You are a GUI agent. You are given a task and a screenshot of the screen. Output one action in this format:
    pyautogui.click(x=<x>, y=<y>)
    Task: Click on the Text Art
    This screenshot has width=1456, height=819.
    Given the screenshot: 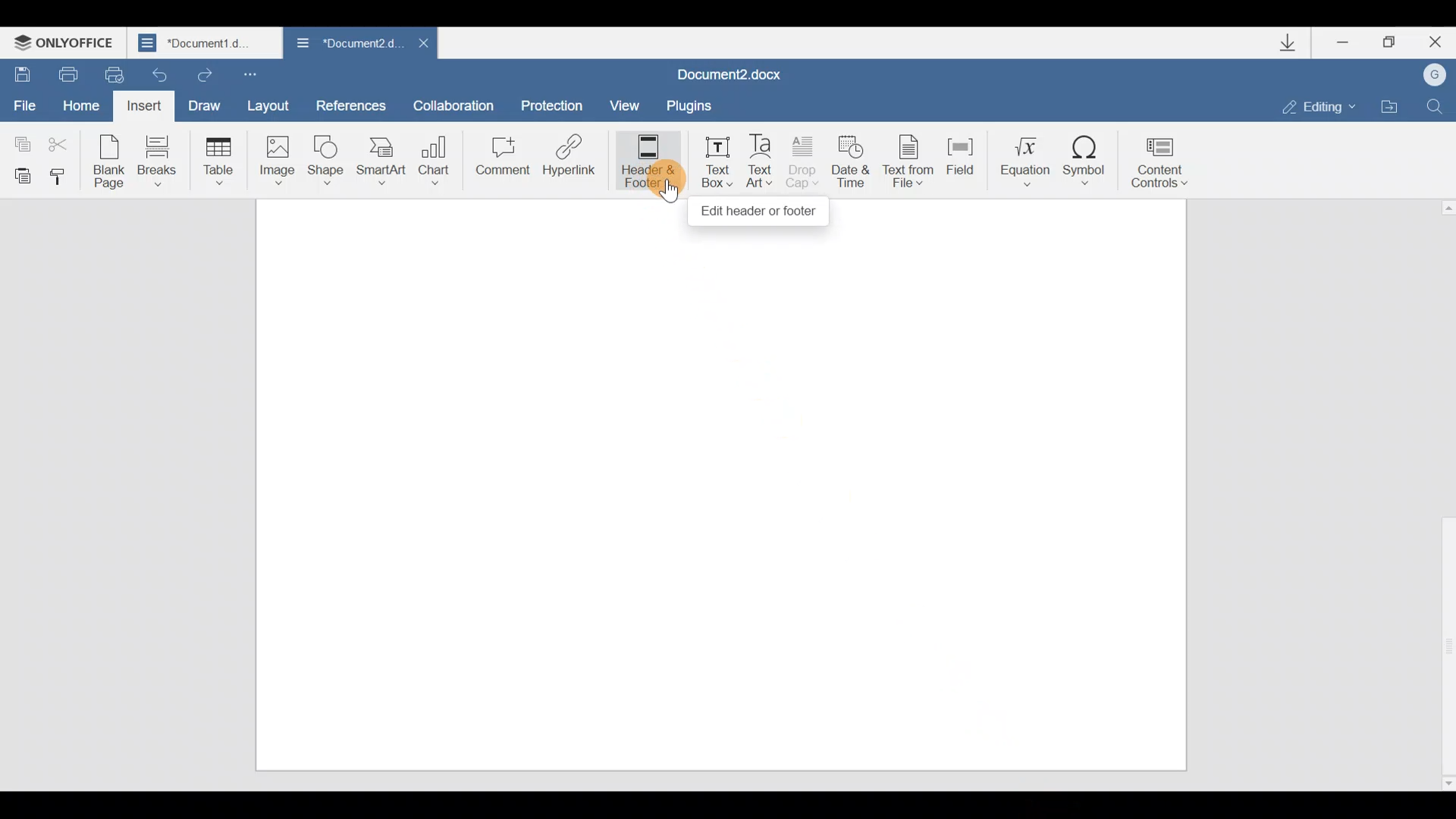 What is the action you would take?
    pyautogui.click(x=761, y=159)
    